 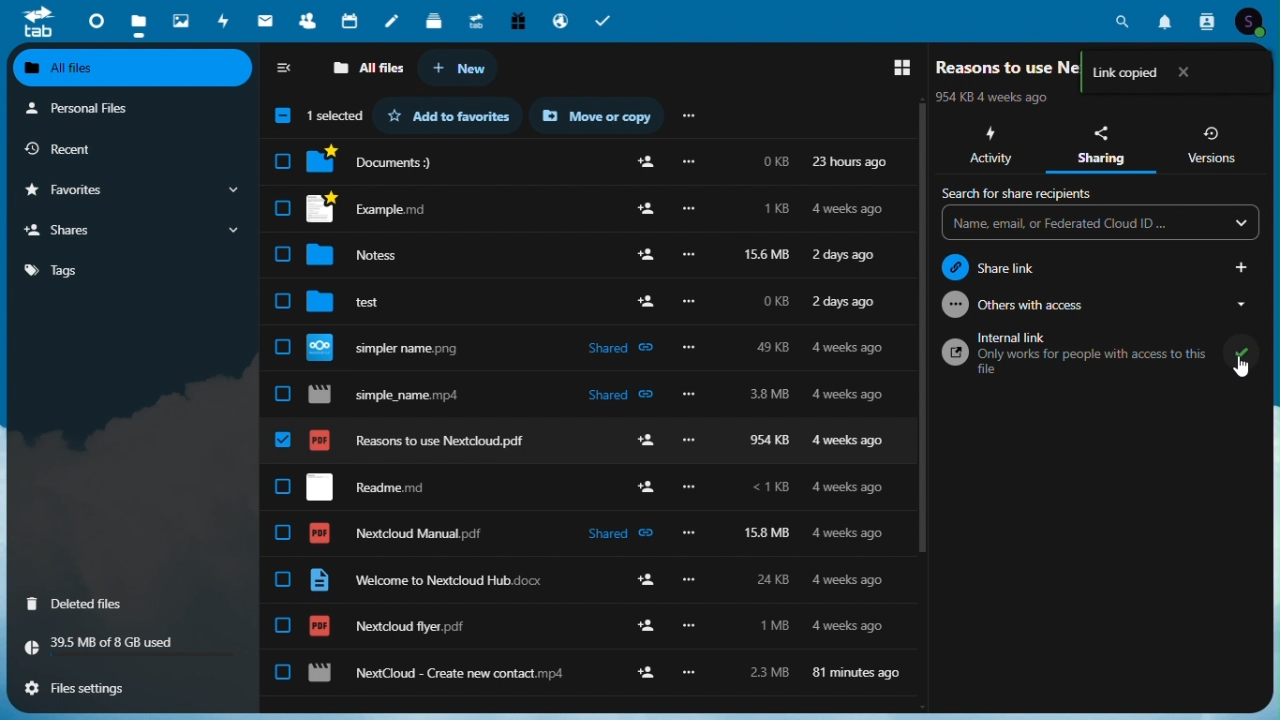 What do you see at coordinates (447, 115) in the screenshot?
I see `favorites` at bounding box center [447, 115].